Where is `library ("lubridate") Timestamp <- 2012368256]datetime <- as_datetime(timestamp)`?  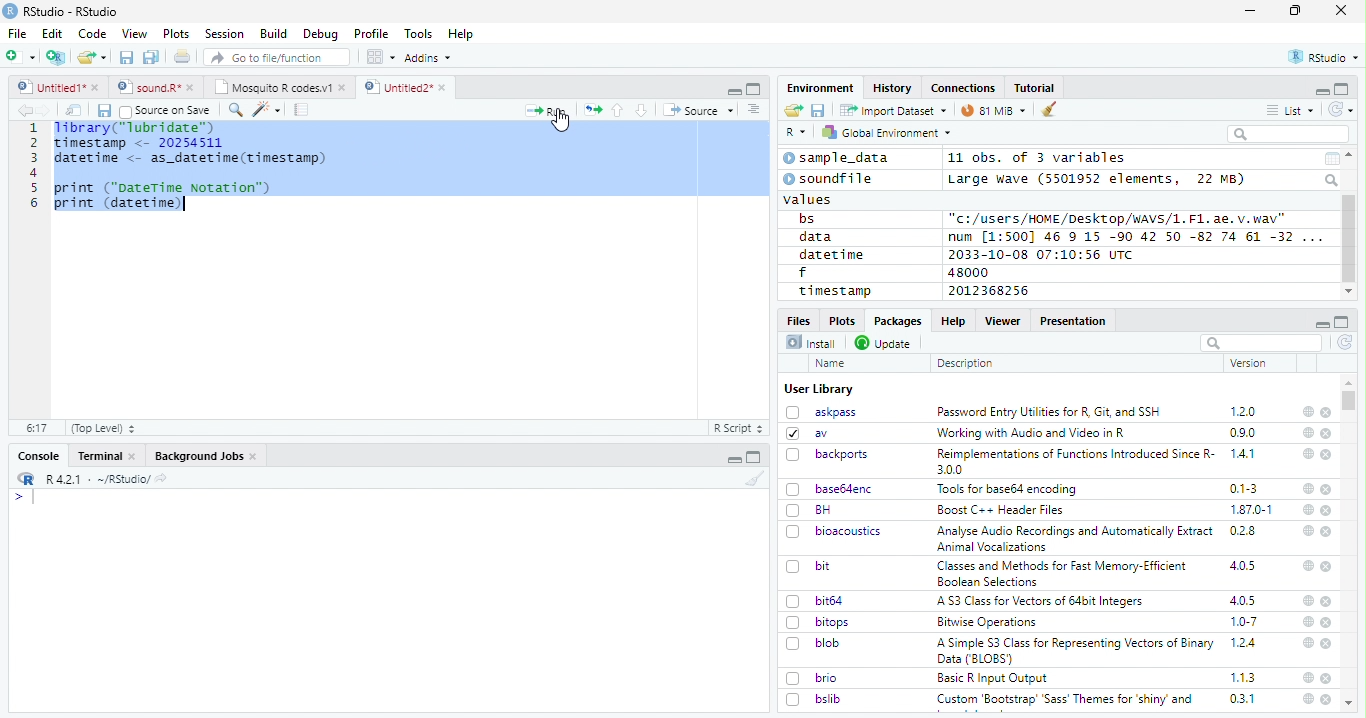 library ("lubridate") Timestamp <- 2012368256]datetime <- as_datetime(timestamp) is located at coordinates (188, 144).